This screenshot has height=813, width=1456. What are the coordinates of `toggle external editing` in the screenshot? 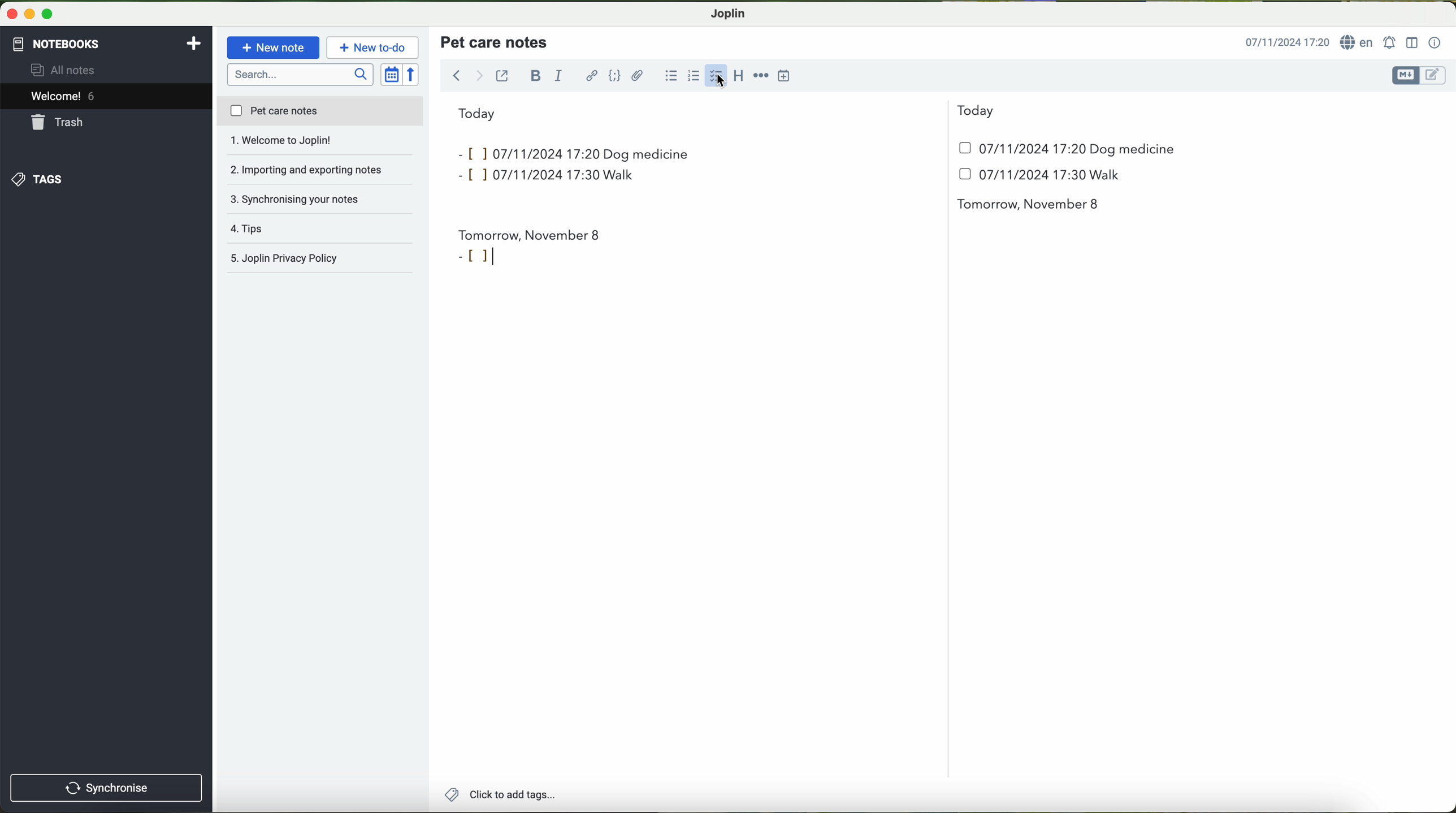 It's located at (502, 75).